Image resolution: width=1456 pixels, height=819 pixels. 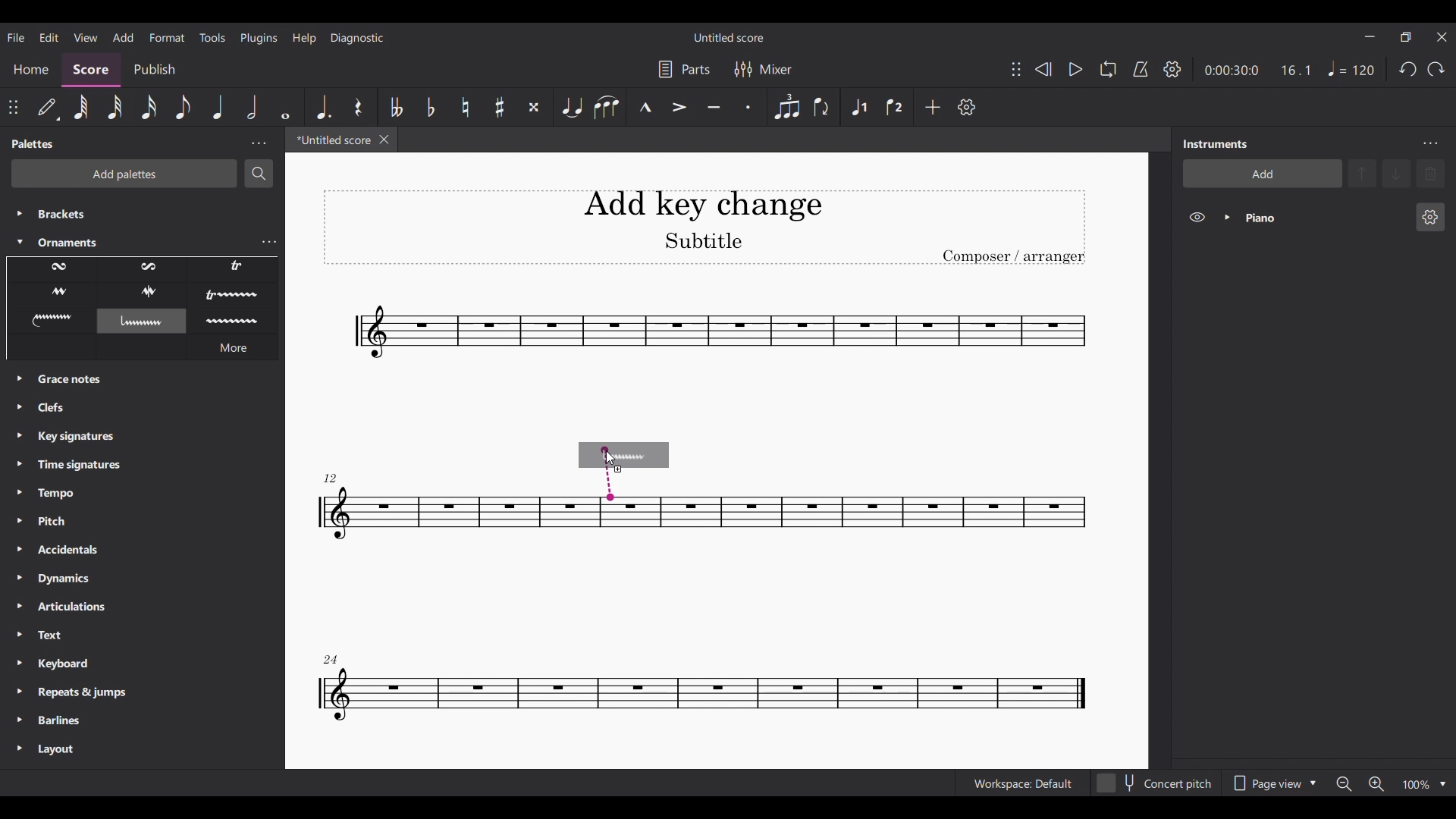 I want to click on Piano settings, so click(x=1431, y=217).